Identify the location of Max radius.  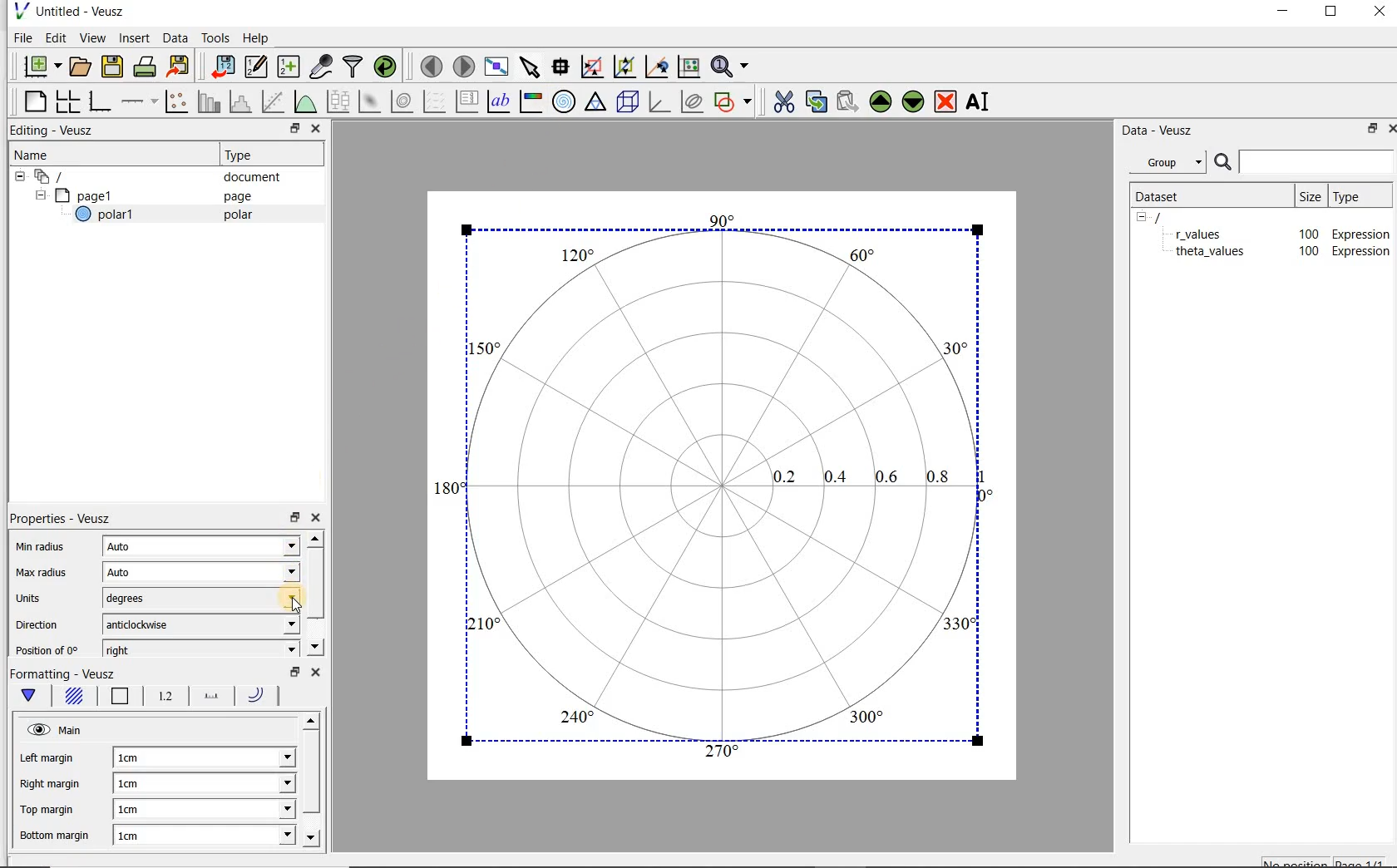
(39, 571).